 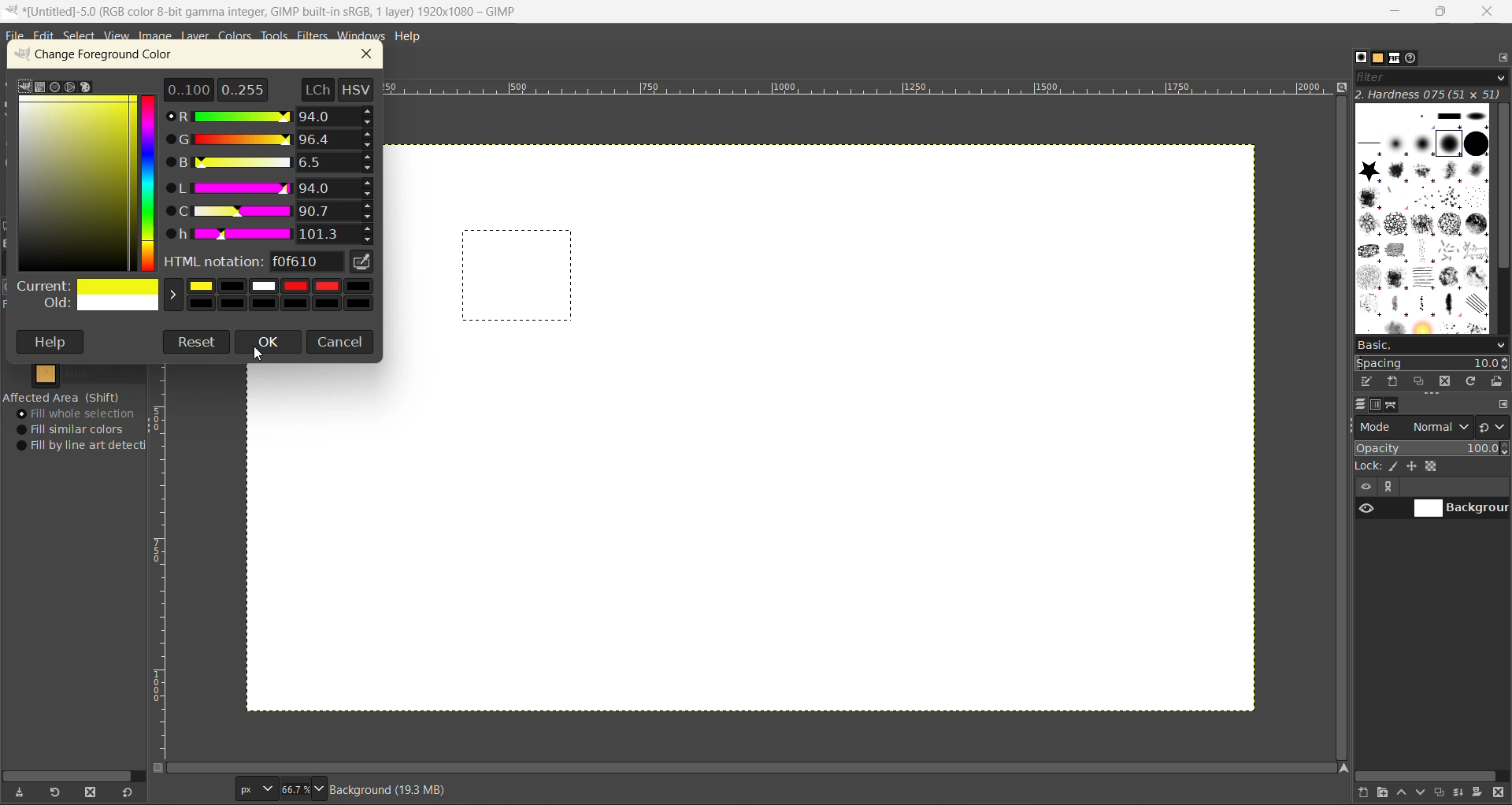 I want to click on open brush image, so click(x=1498, y=383).